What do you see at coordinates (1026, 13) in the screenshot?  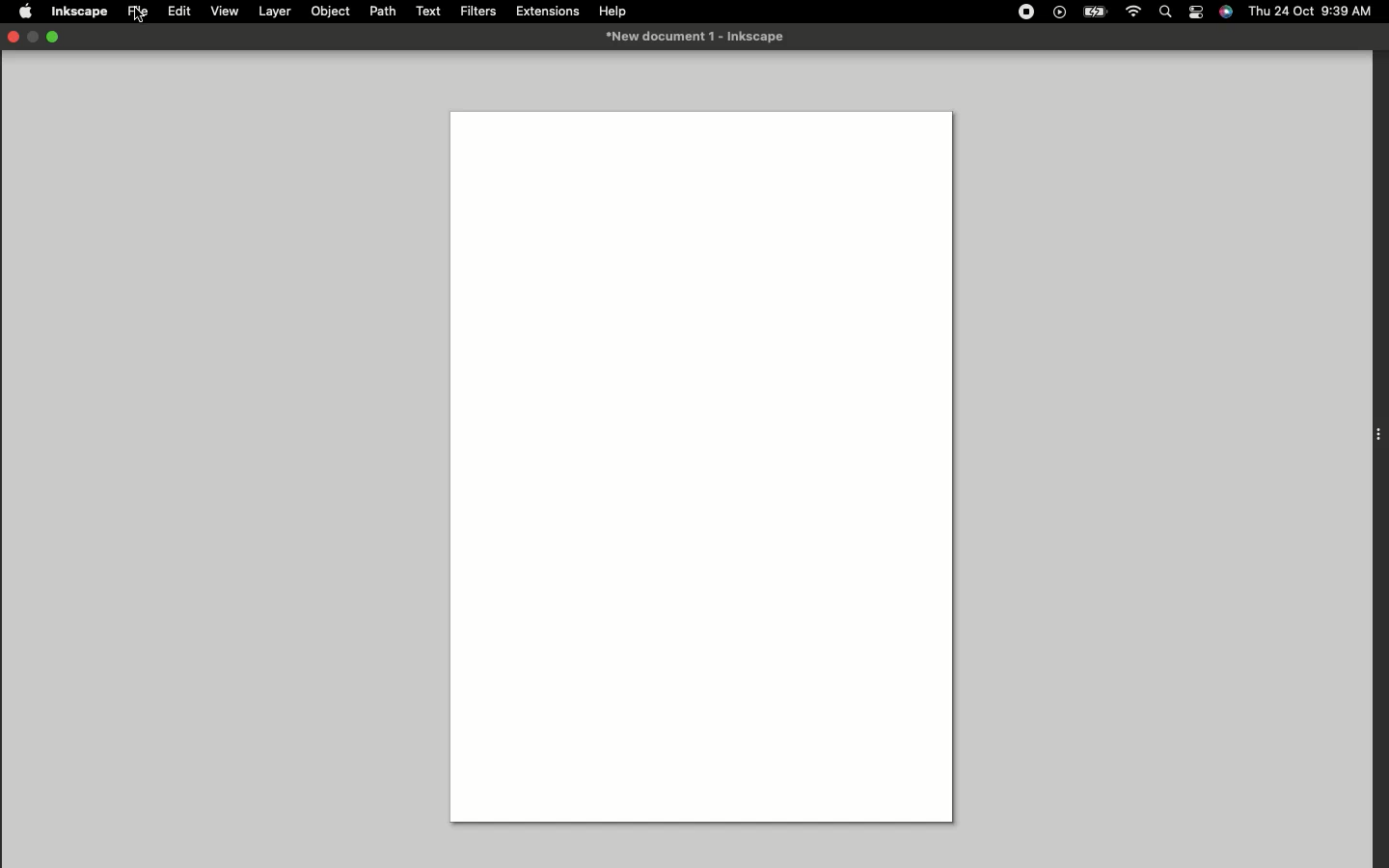 I see `Record` at bounding box center [1026, 13].